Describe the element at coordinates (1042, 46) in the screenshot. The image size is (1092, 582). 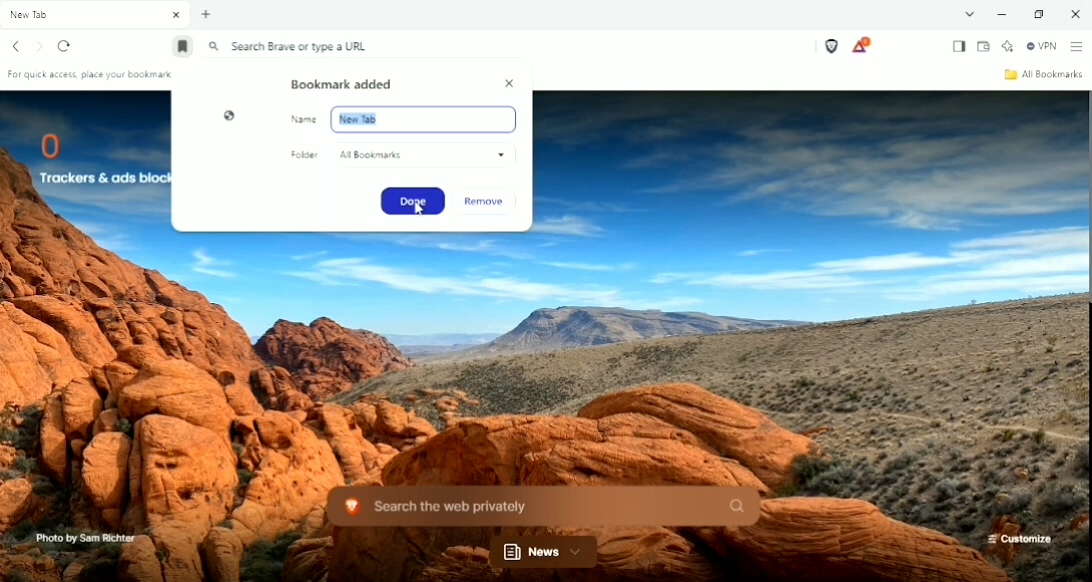
I see `Brave Firewall + VPN` at that location.